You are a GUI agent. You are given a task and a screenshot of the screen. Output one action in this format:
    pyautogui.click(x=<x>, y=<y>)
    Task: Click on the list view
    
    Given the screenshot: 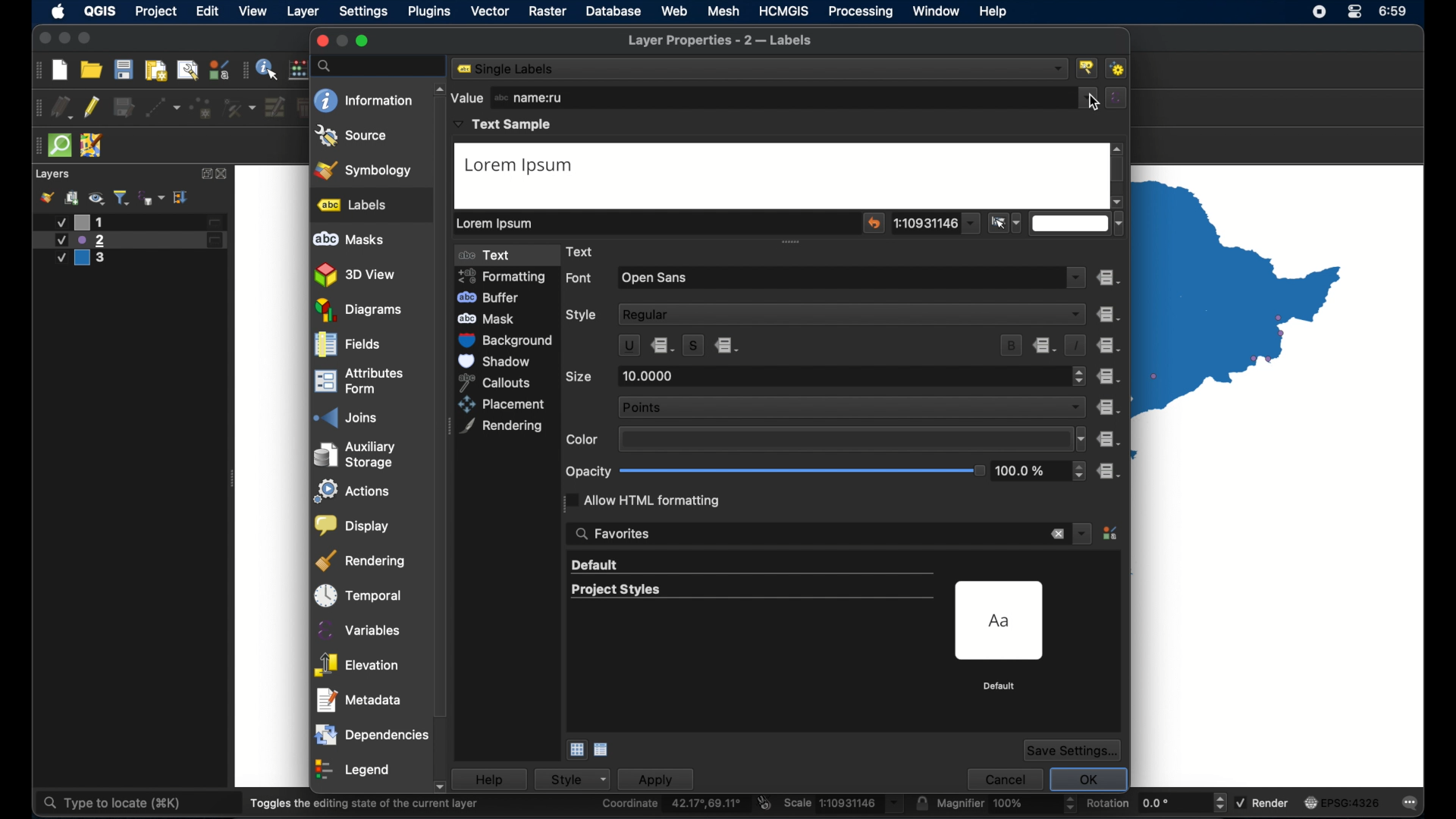 What is the action you would take?
    pyautogui.click(x=602, y=750)
    